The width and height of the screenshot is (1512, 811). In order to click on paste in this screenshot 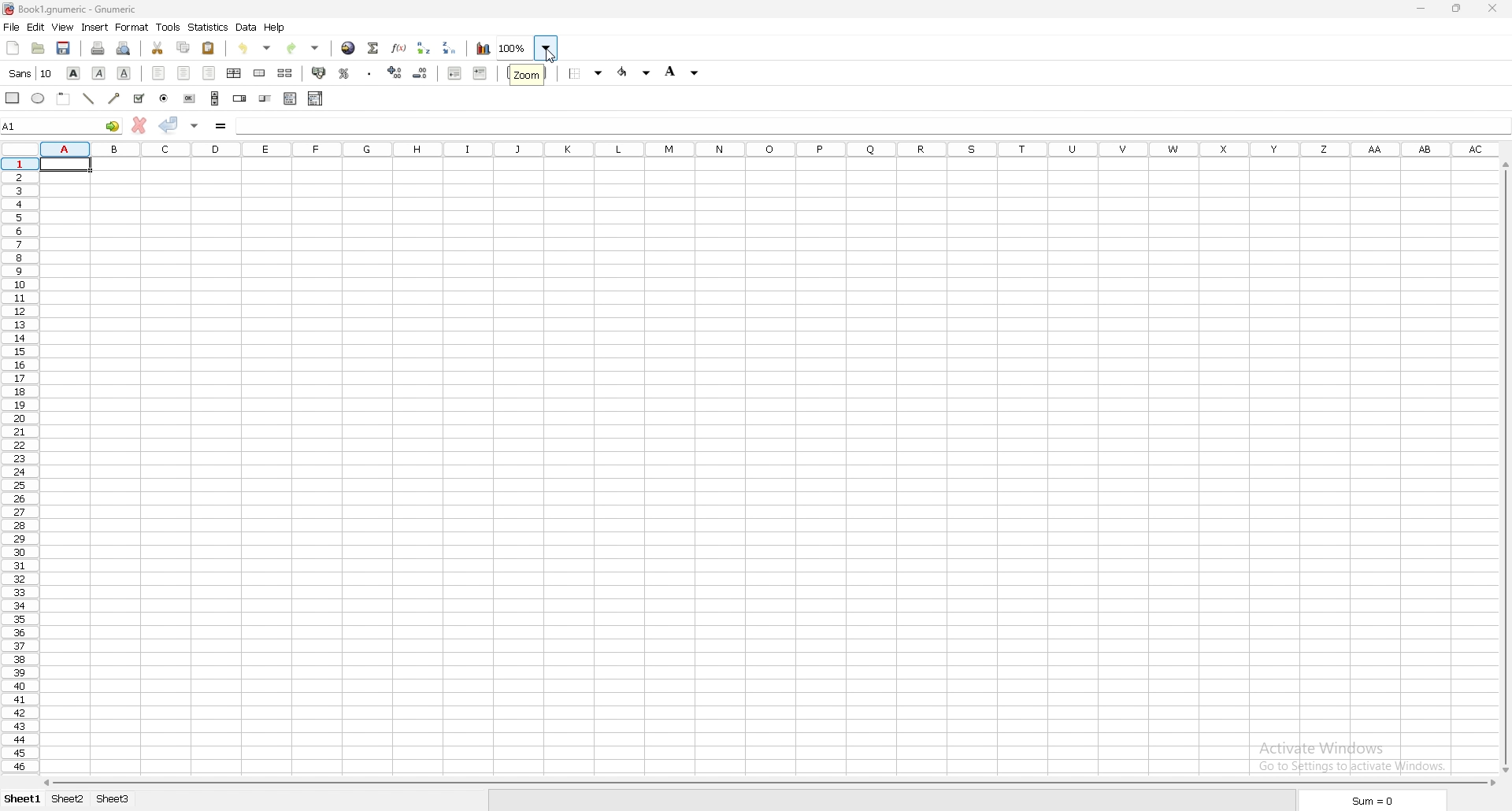, I will do `click(209, 47)`.